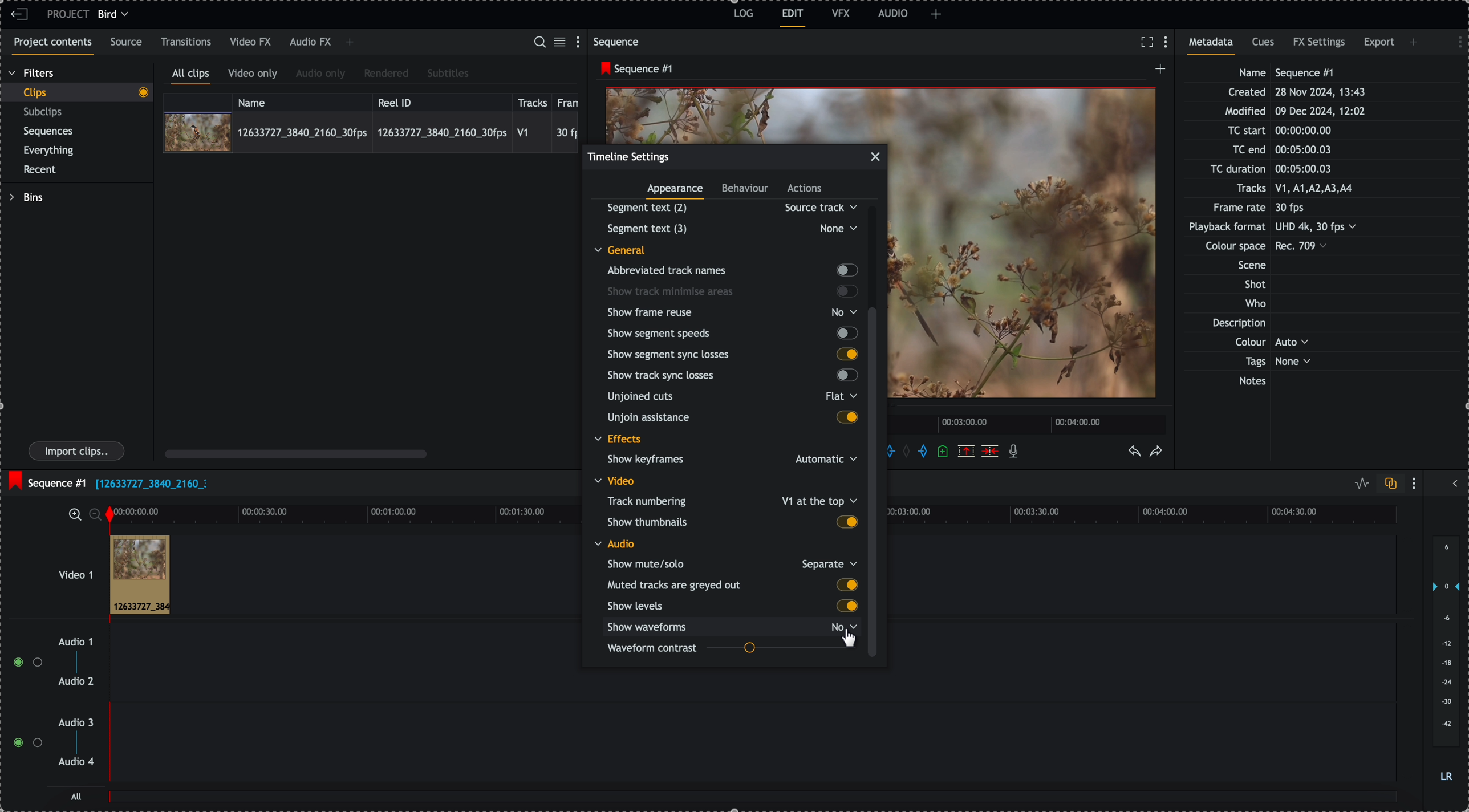 The image size is (1469, 812). What do you see at coordinates (729, 399) in the screenshot?
I see `unjoined cuts` at bounding box center [729, 399].